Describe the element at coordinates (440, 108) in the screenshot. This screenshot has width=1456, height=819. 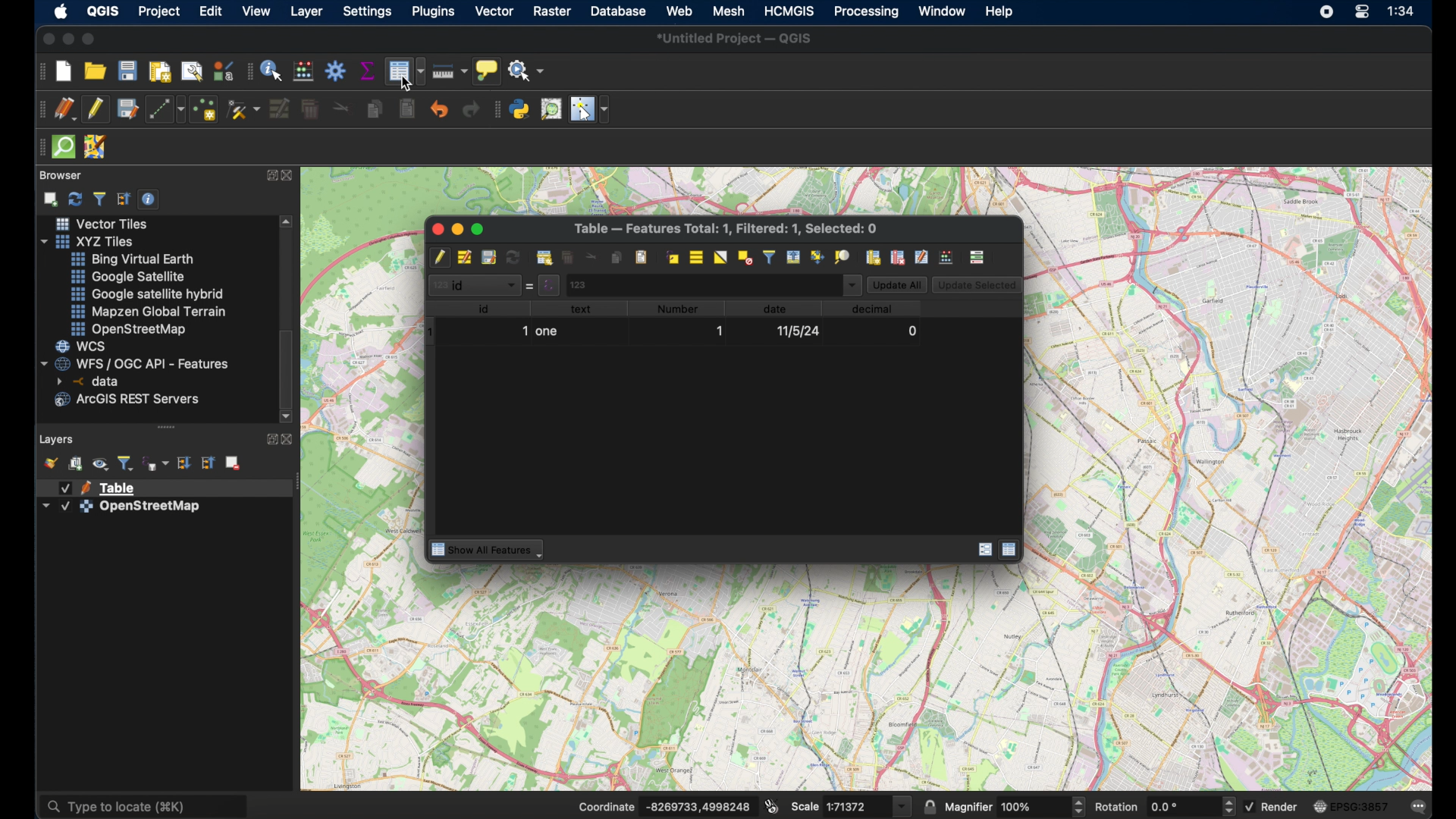
I see `undo` at that location.